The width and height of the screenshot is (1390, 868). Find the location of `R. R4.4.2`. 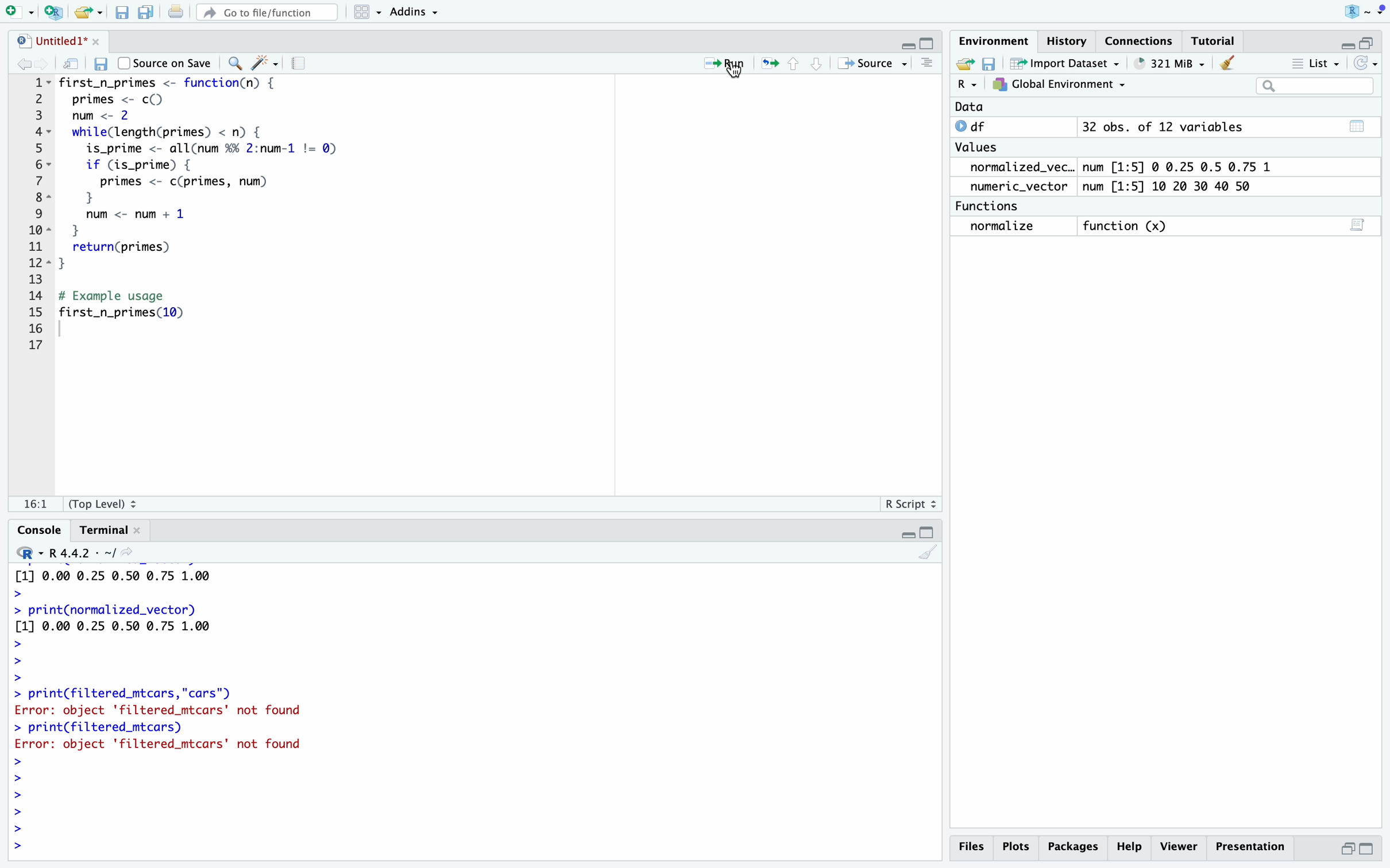

R. R4.4.2 is located at coordinates (71, 551).